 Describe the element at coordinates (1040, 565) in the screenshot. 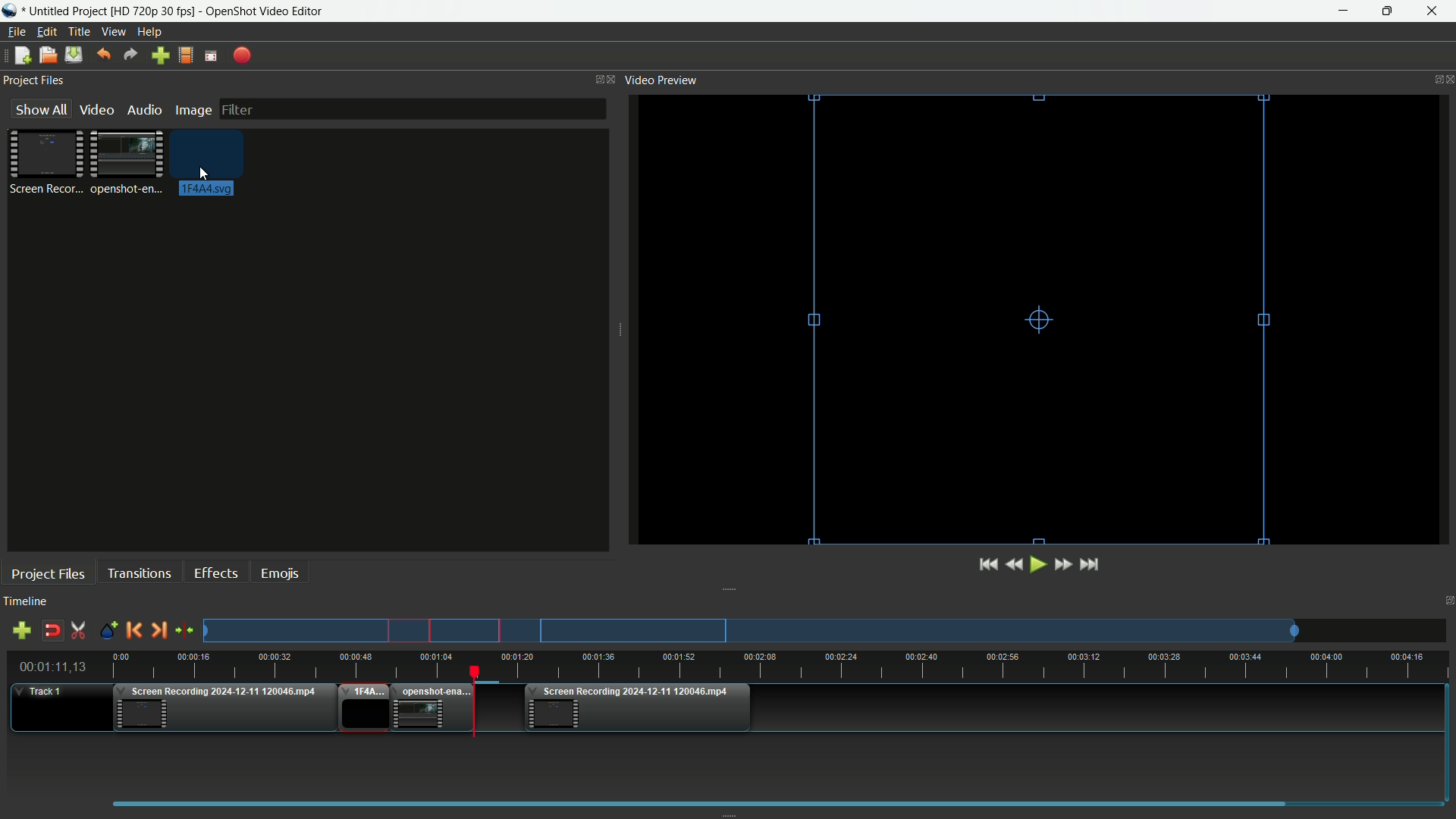

I see `Play or pause` at that location.